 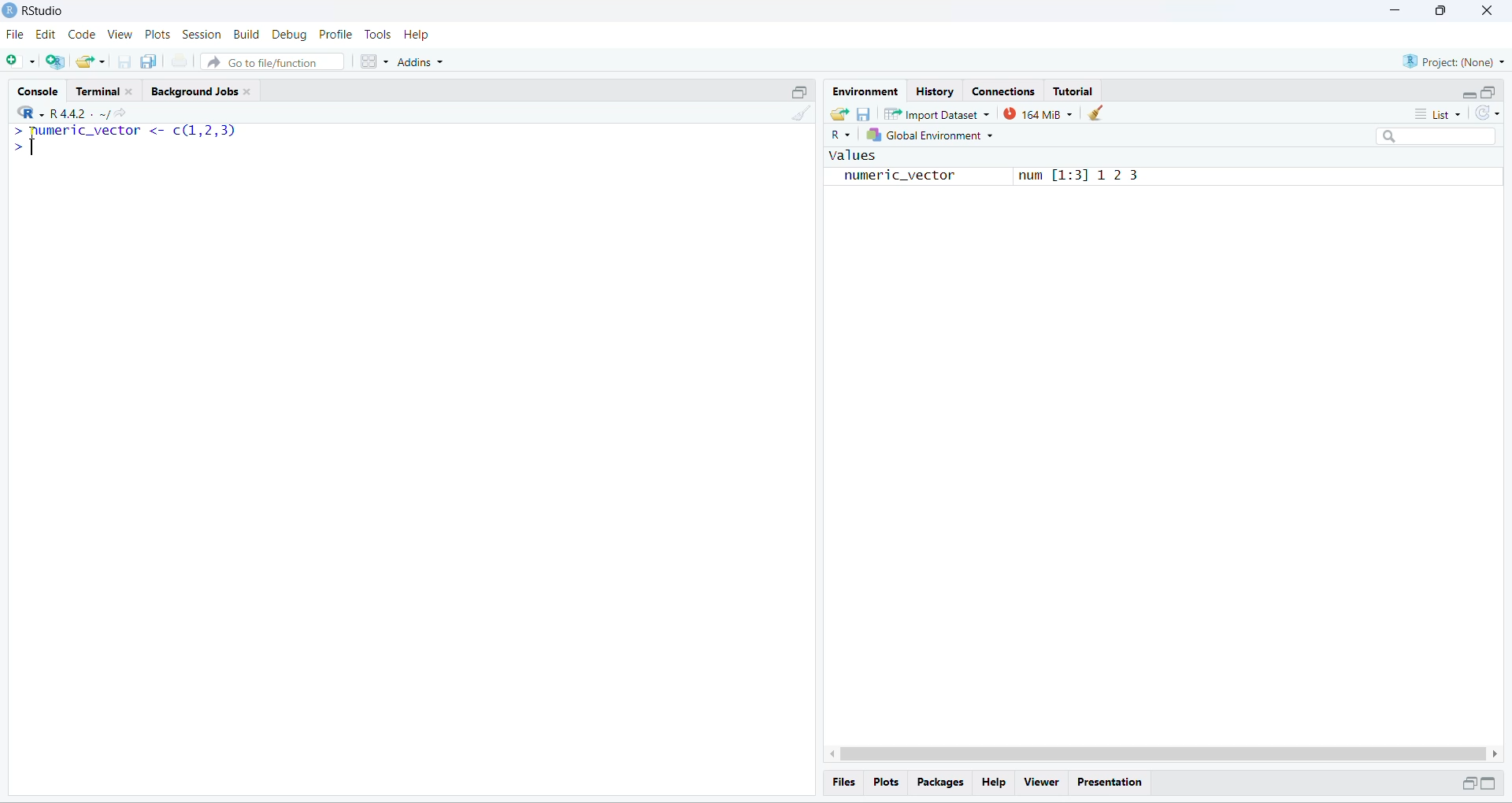 I want to click on close, so click(x=1485, y=10).